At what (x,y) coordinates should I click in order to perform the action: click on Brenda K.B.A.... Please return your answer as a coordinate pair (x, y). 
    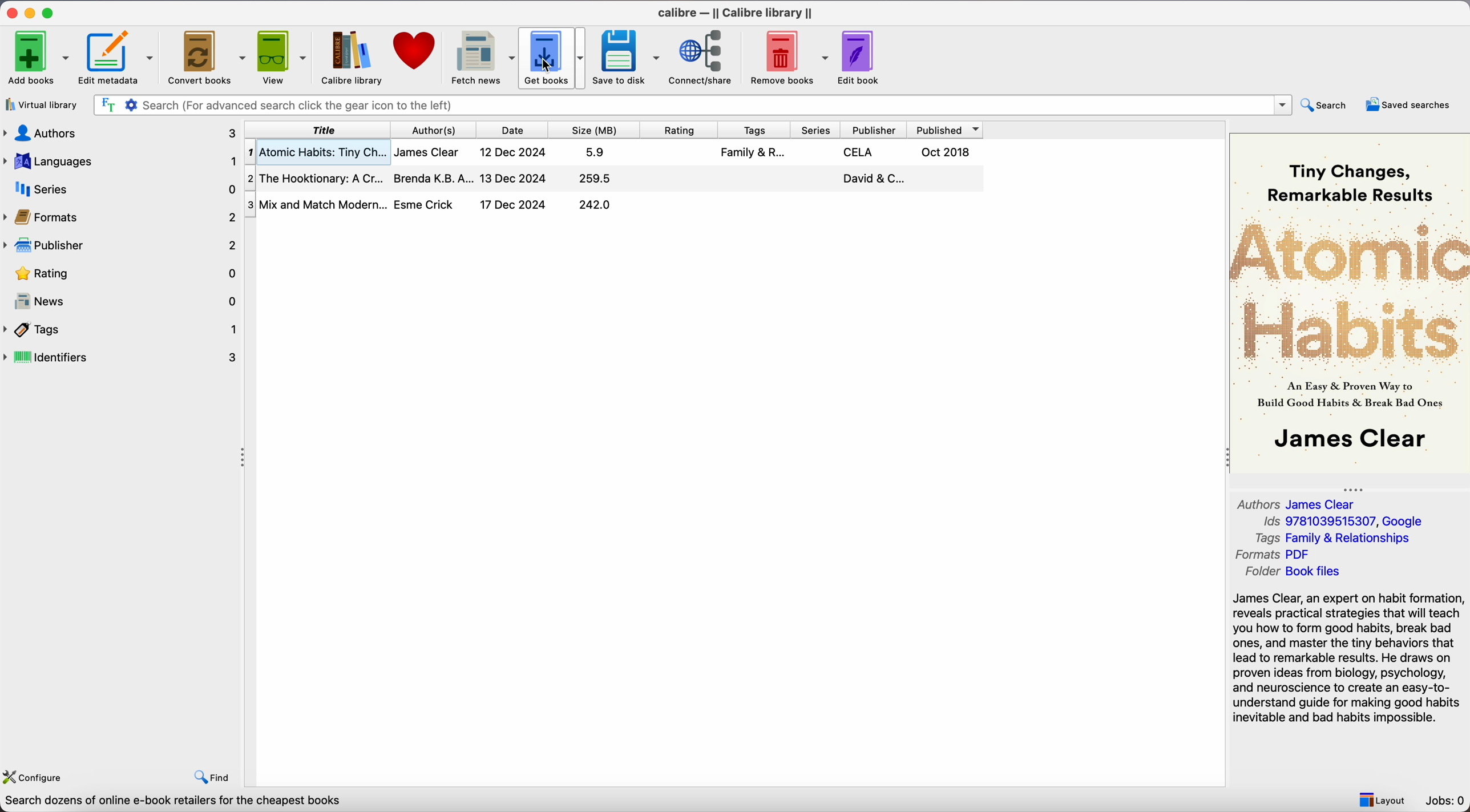
    Looking at the image, I should click on (434, 178).